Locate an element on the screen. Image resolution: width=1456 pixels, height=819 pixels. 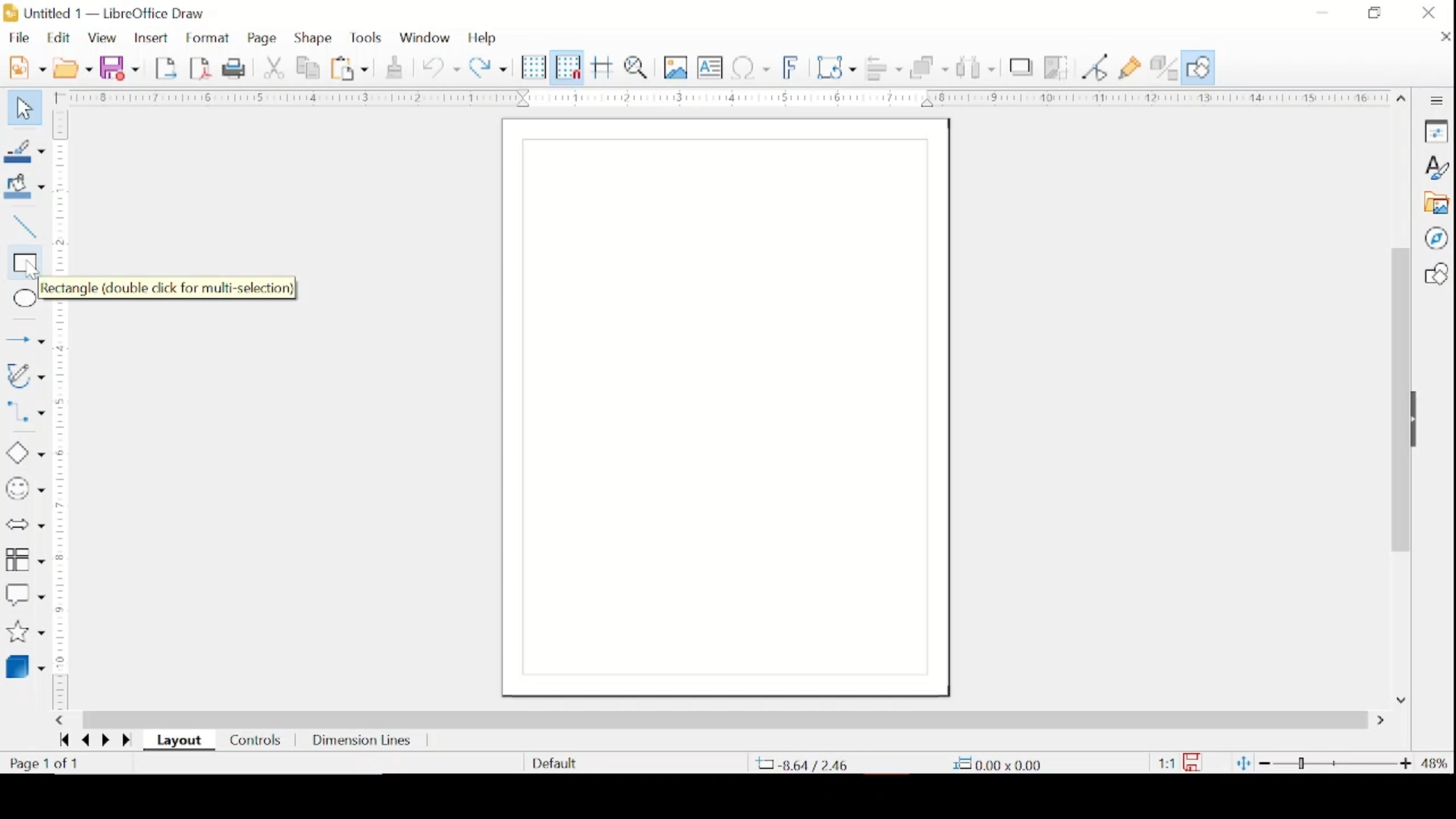
display grid is located at coordinates (534, 68).